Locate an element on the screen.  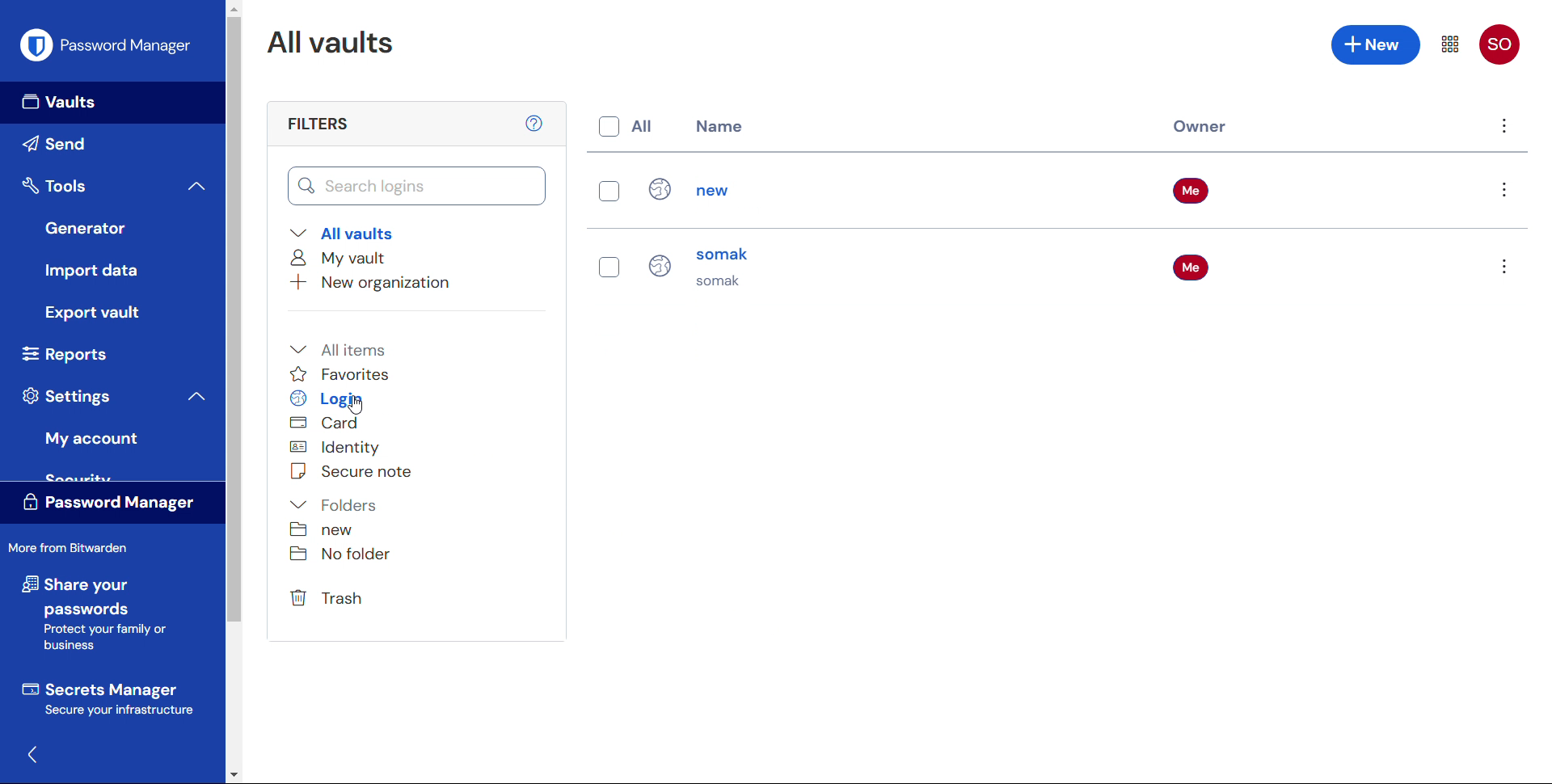
Select all  is located at coordinates (626, 125).